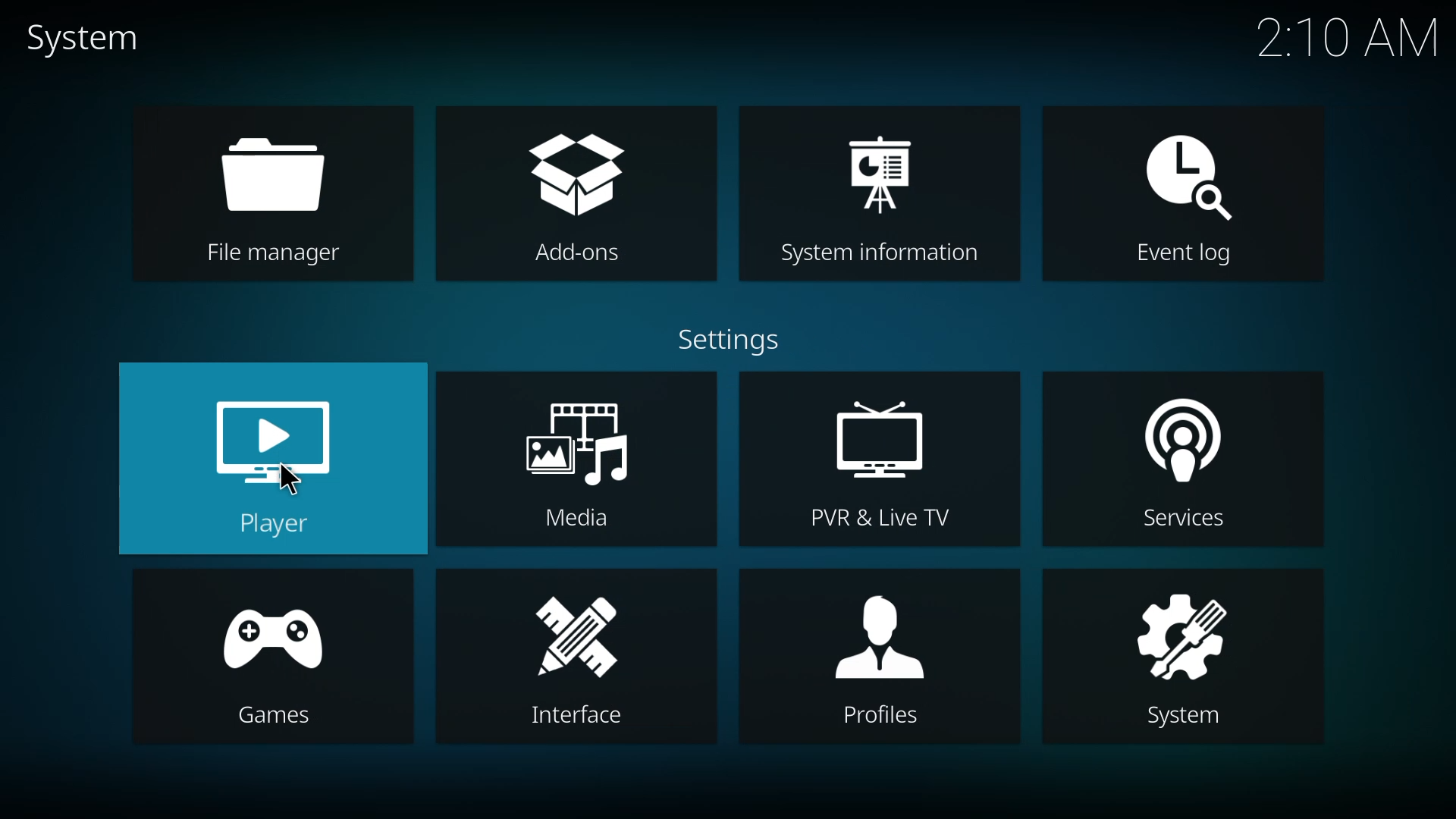  What do you see at coordinates (1348, 37) in the screenshot?
I see `time` at bounding box center [1348, 37].